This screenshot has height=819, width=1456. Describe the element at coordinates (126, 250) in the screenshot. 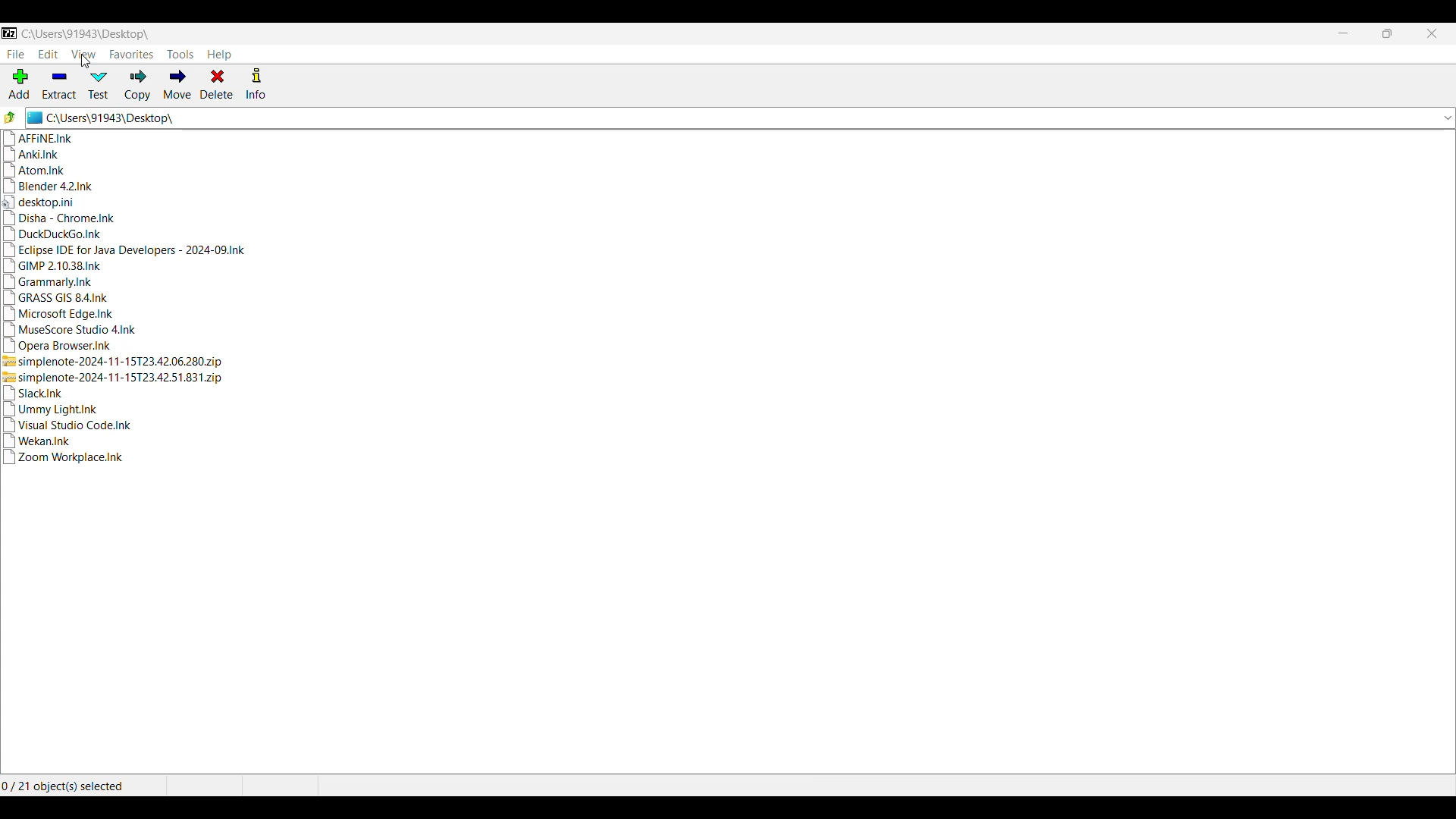

I see `Eclipse IDE for Java Developers - 2024-09.Ink` at that location.